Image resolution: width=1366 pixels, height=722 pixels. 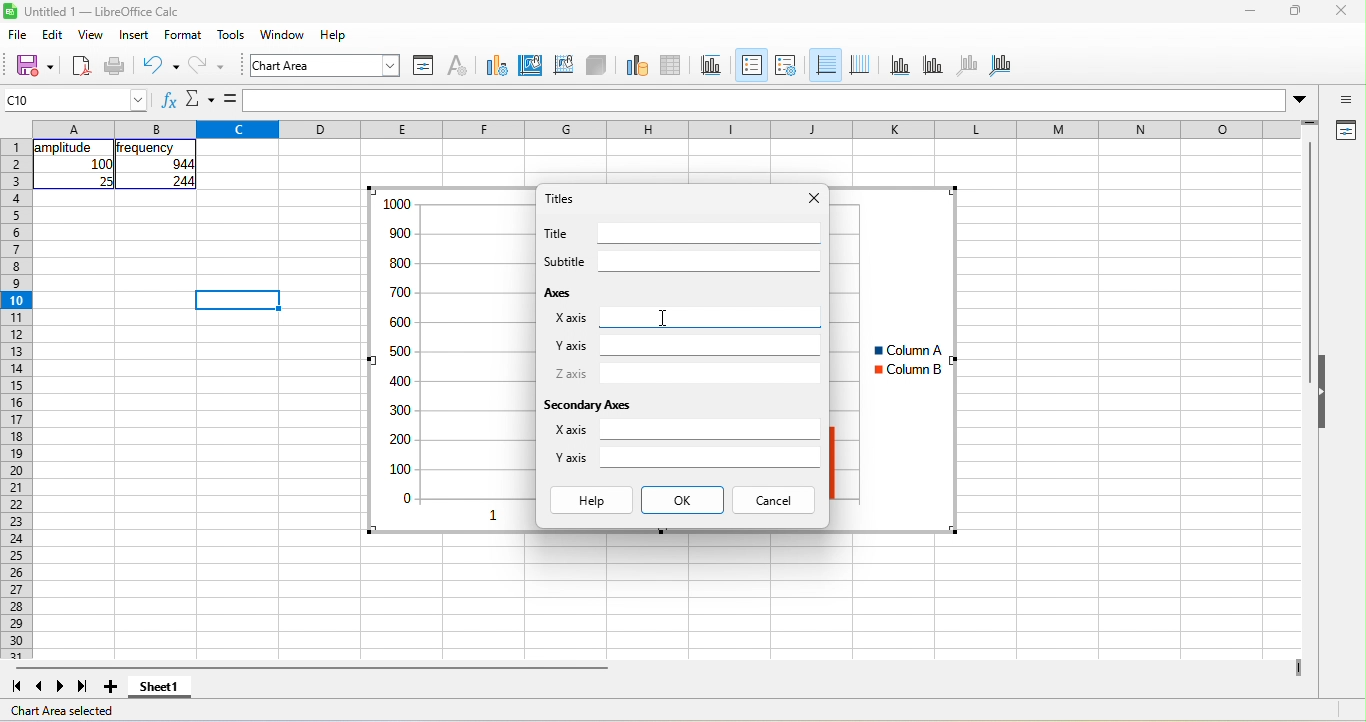 I want to click on Input for x axis, so click(x=710, y=317).